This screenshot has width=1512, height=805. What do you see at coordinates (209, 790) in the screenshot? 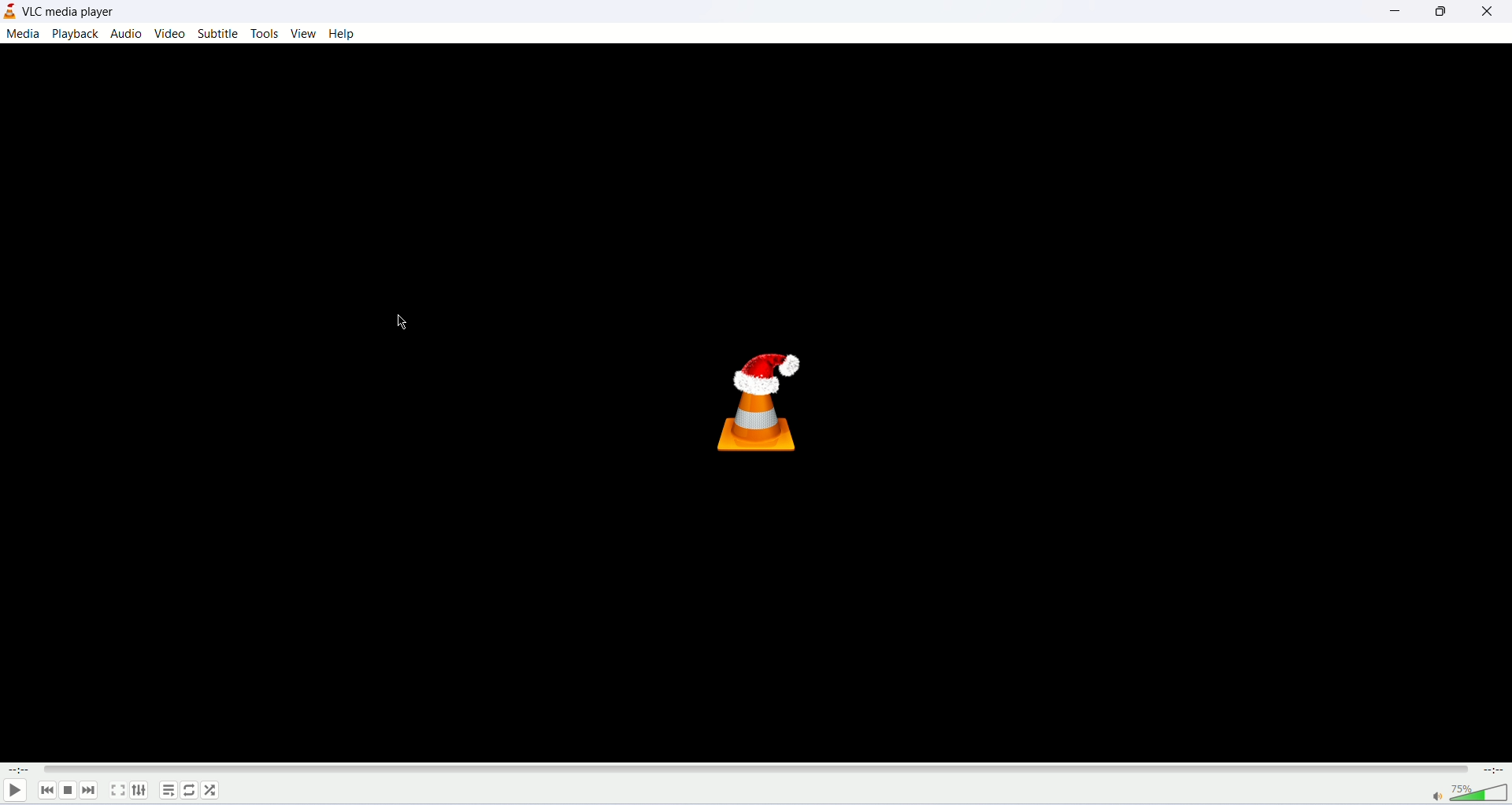
I see `random` at bounding box center [209, 790].